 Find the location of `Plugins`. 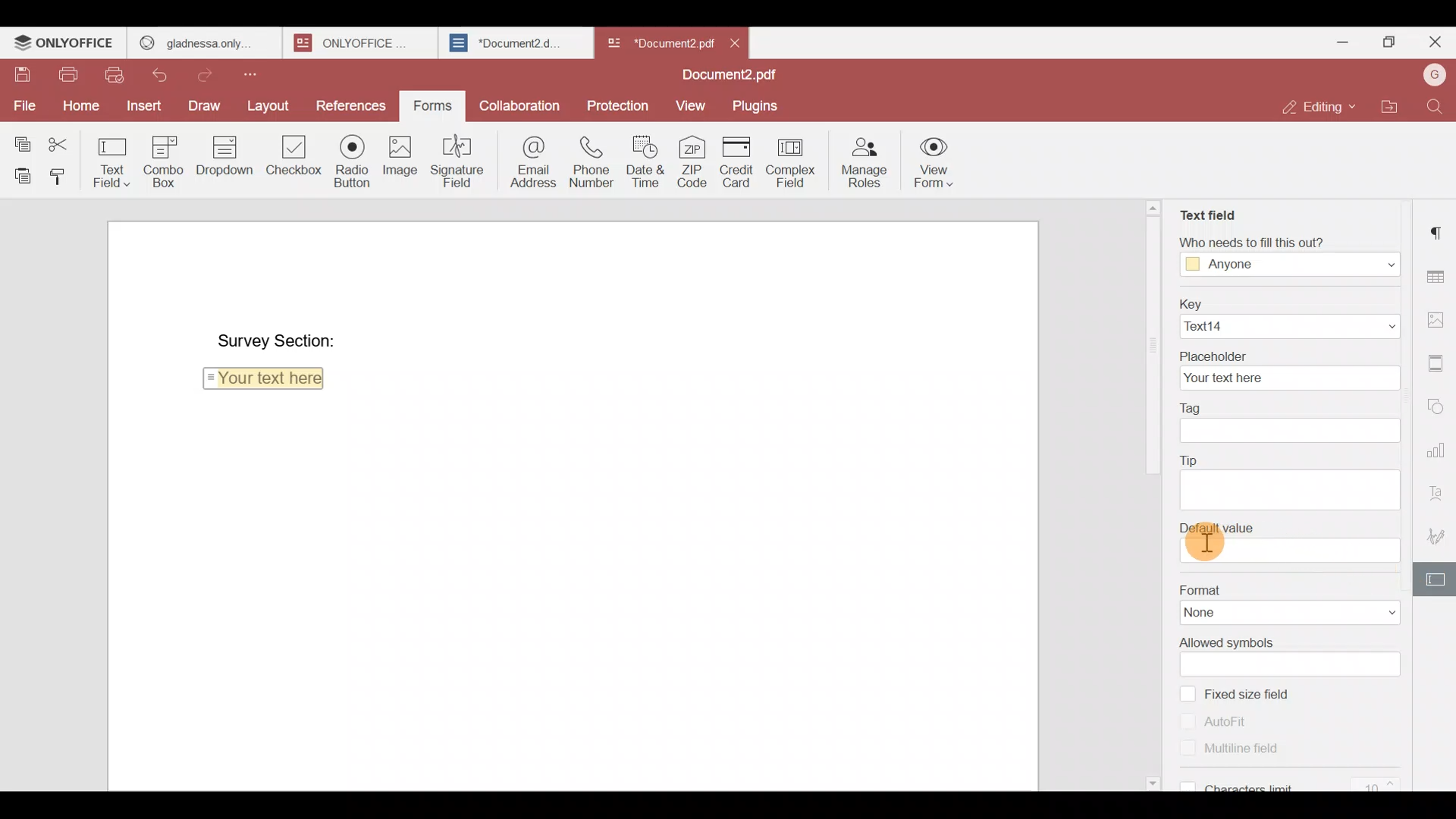

Plugins is located at coordinates (756, 105).